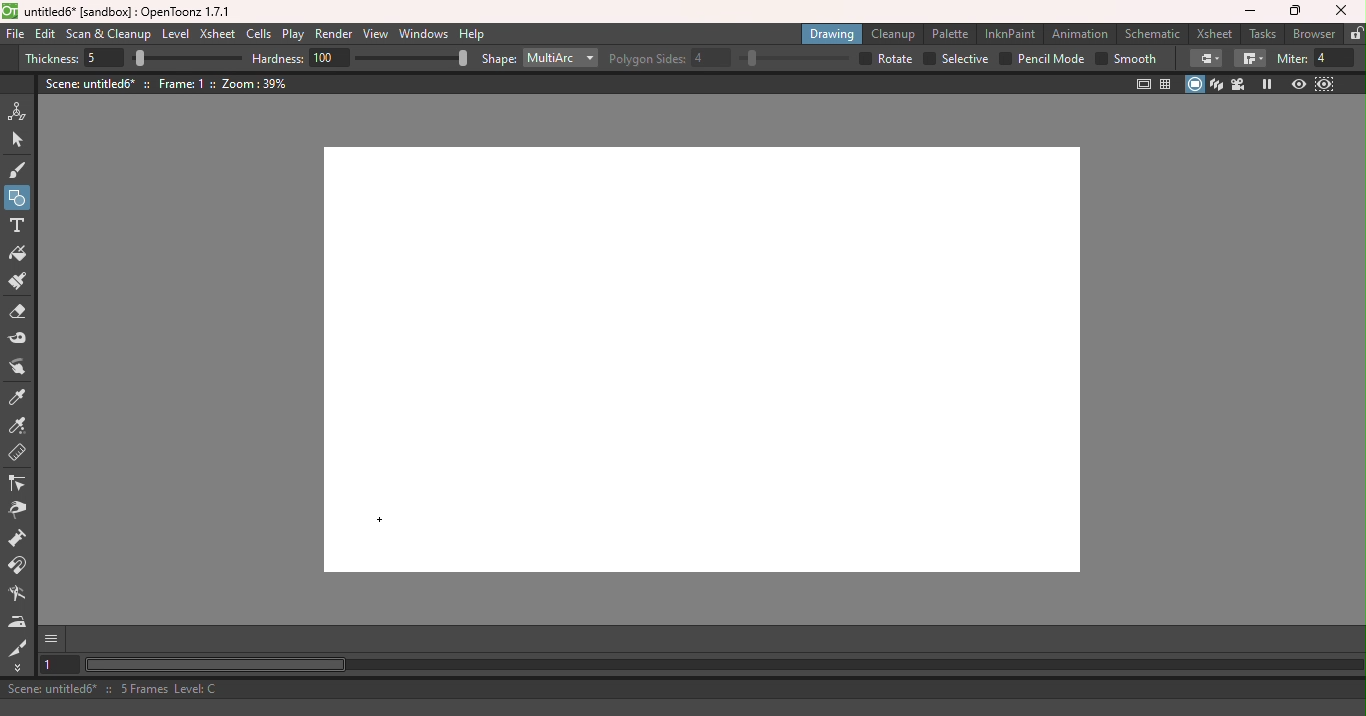 This screenshot has width=1366, height=716. Describe the element at coordinates (16, 453) in the screenshot. I see `Ruler tool` at that location.